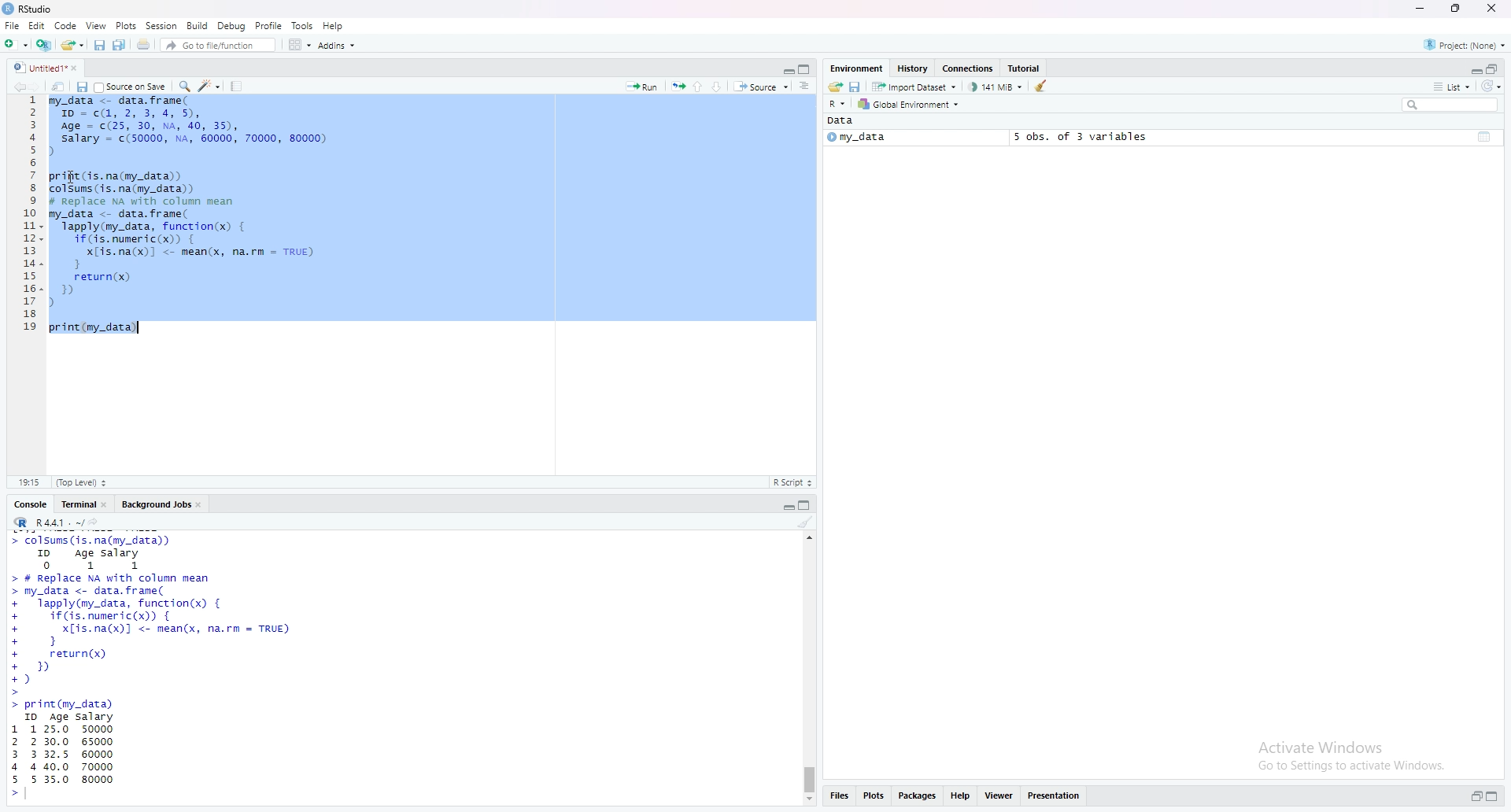  What do you see at coordinates (1474, 71) in the screenshot?
I see `expand` at bounding box center [1474, 71].